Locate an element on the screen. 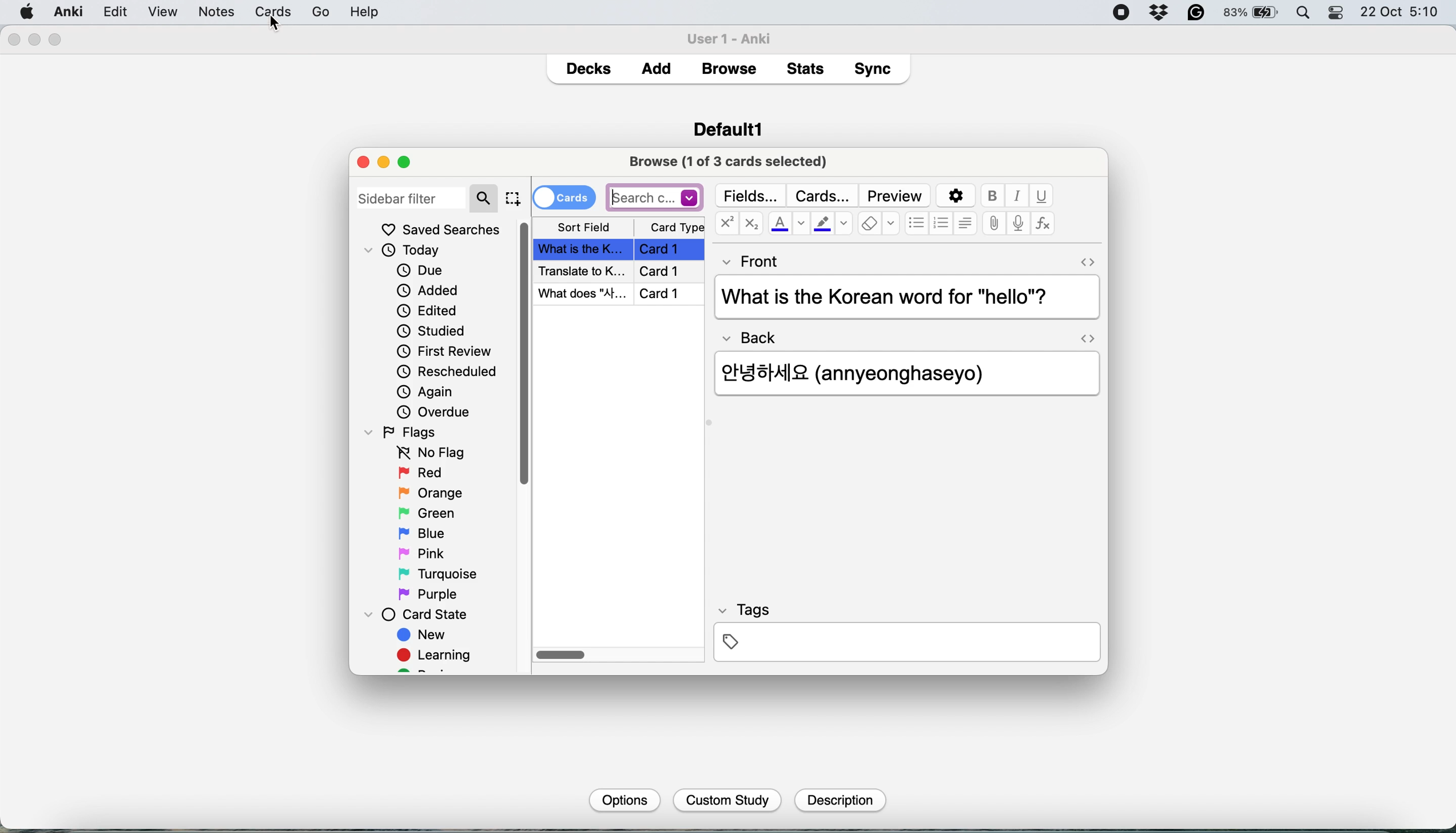 The width and height of the screenshot is (1456, 833). added is located at coordinates (429, 289).